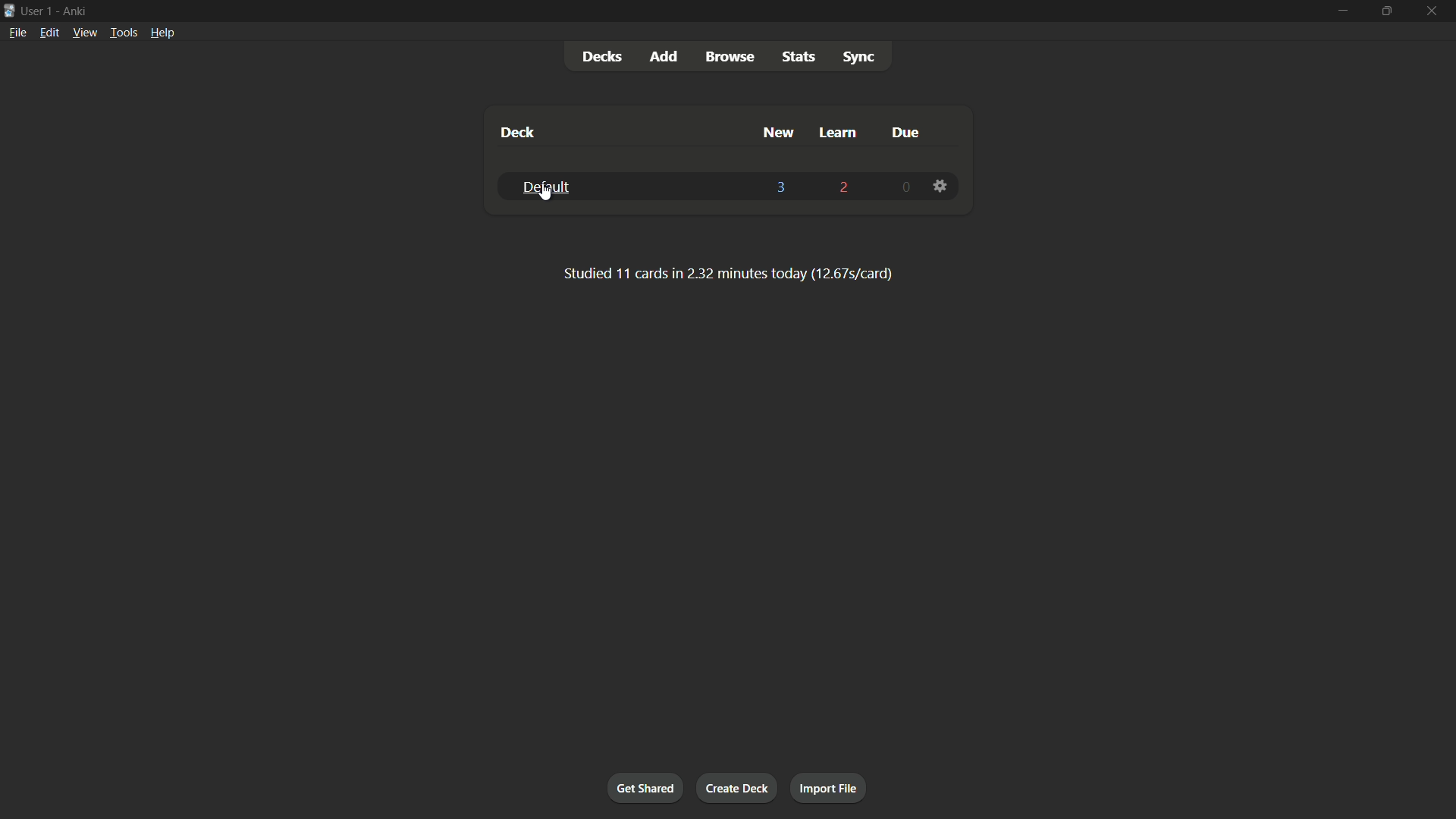 This screenshot has height=819, width=1456. I want to click on close app, so click(1435, 11).